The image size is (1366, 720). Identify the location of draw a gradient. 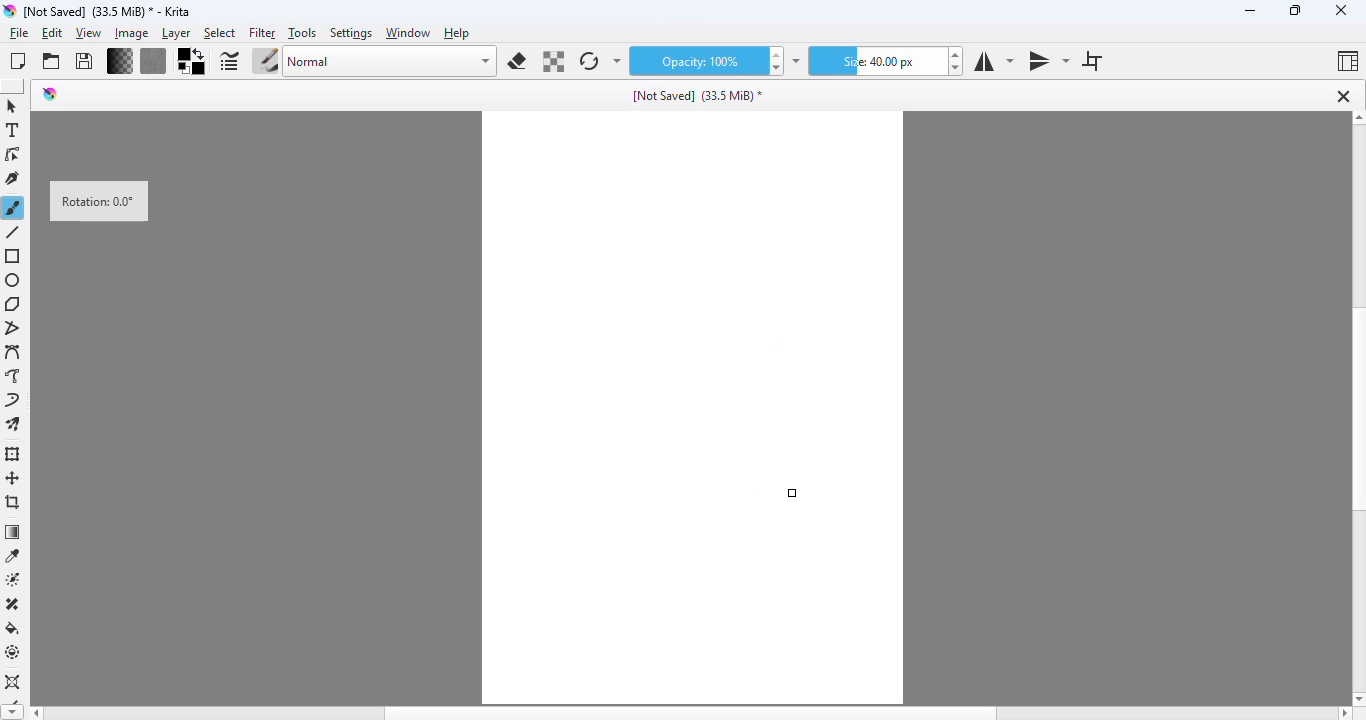
(13, 532).